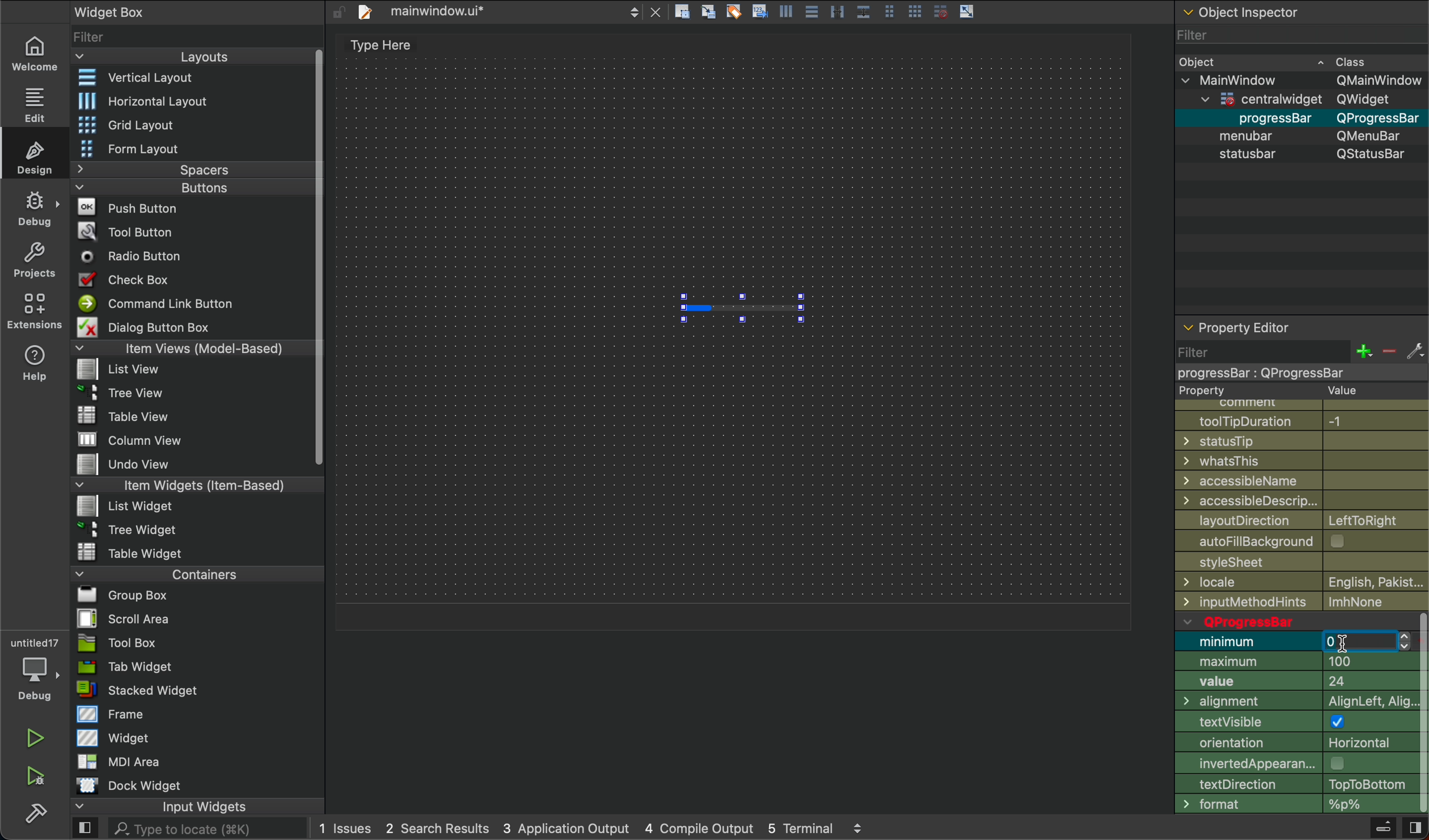 The width and height of the screenshot is (1429, 840). I want to click on Radio Button, so click(136, 256).